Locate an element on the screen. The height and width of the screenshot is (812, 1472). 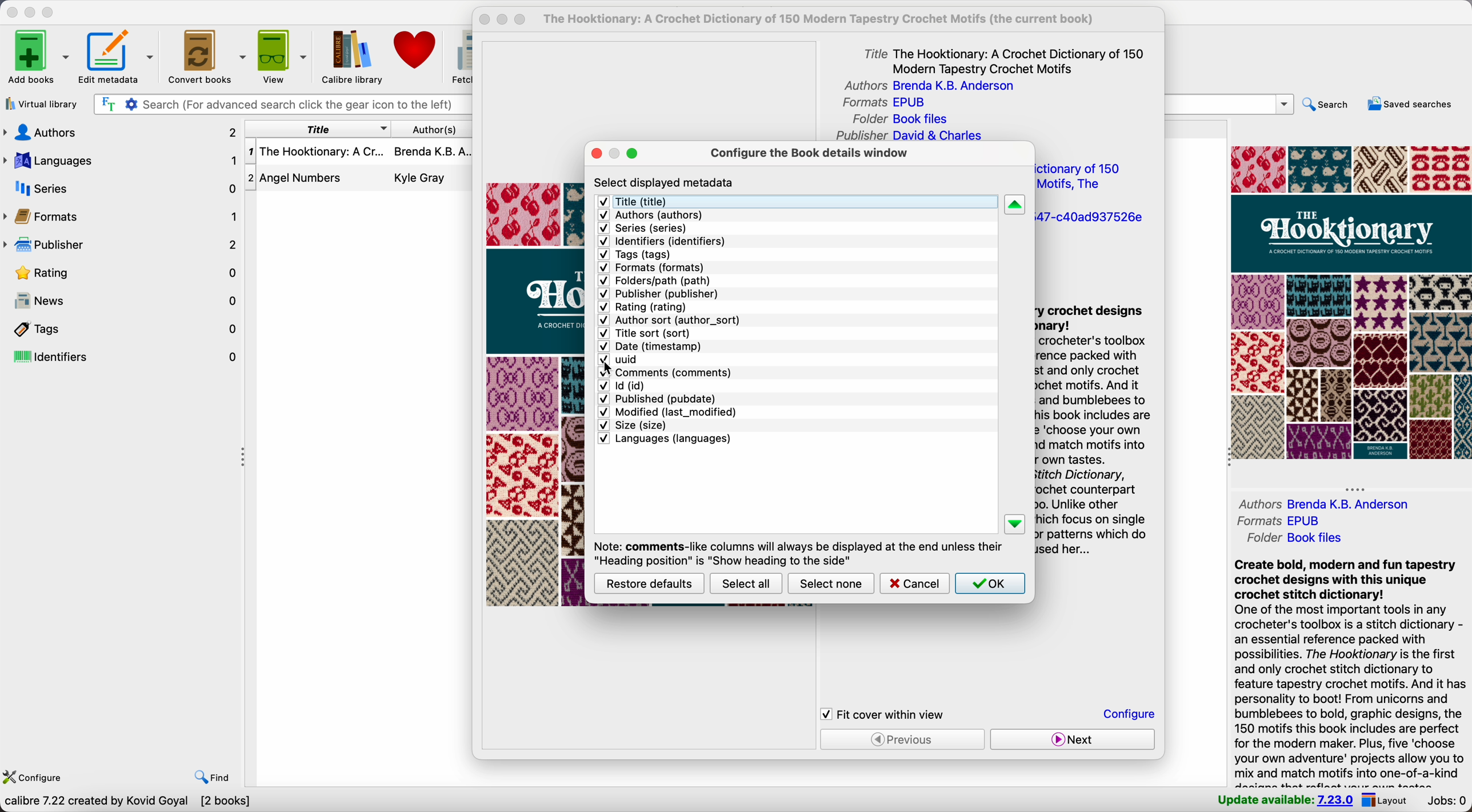
note is located at coordinates (797, 552).